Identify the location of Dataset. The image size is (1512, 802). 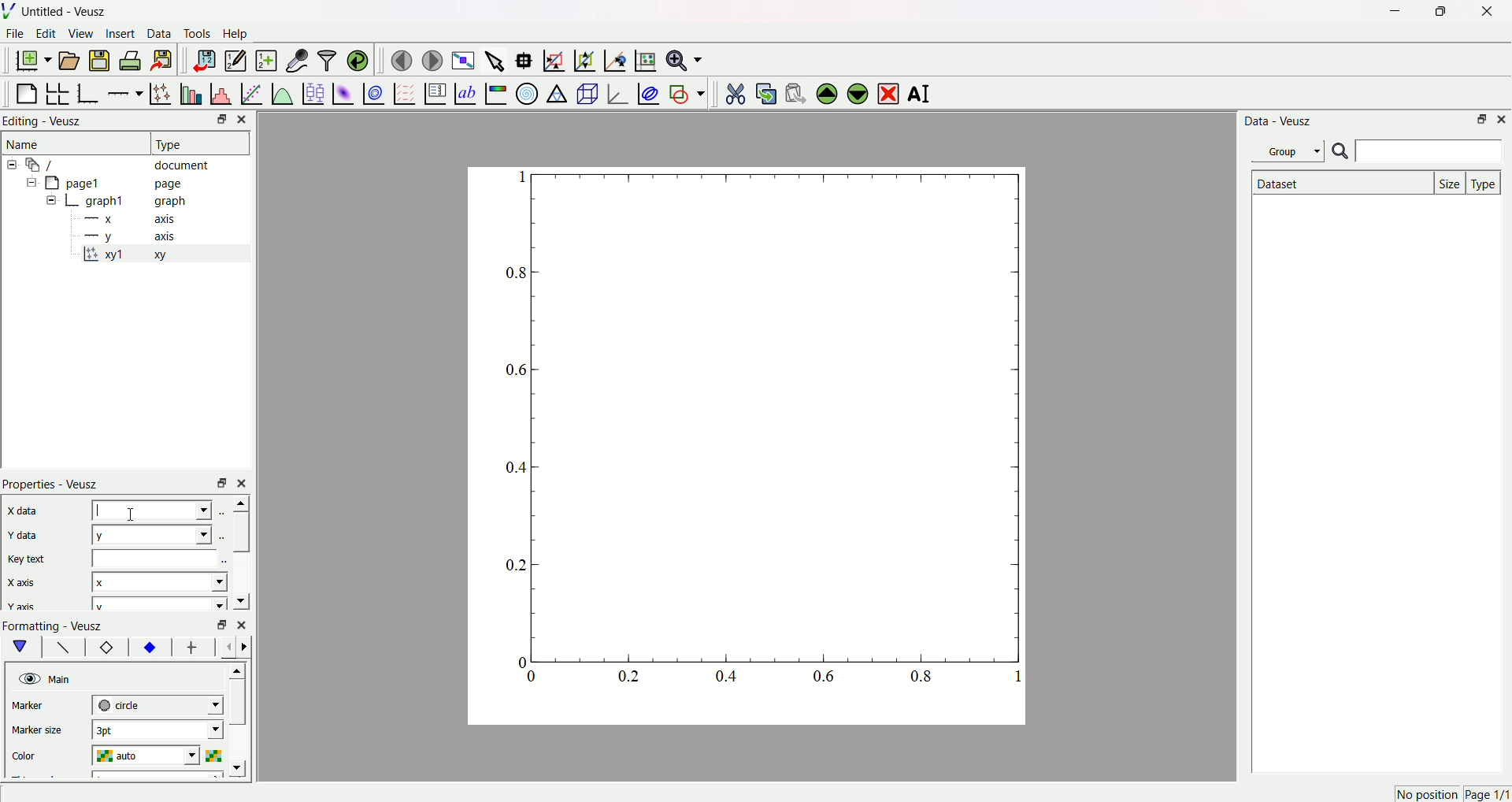
(1340, 183).